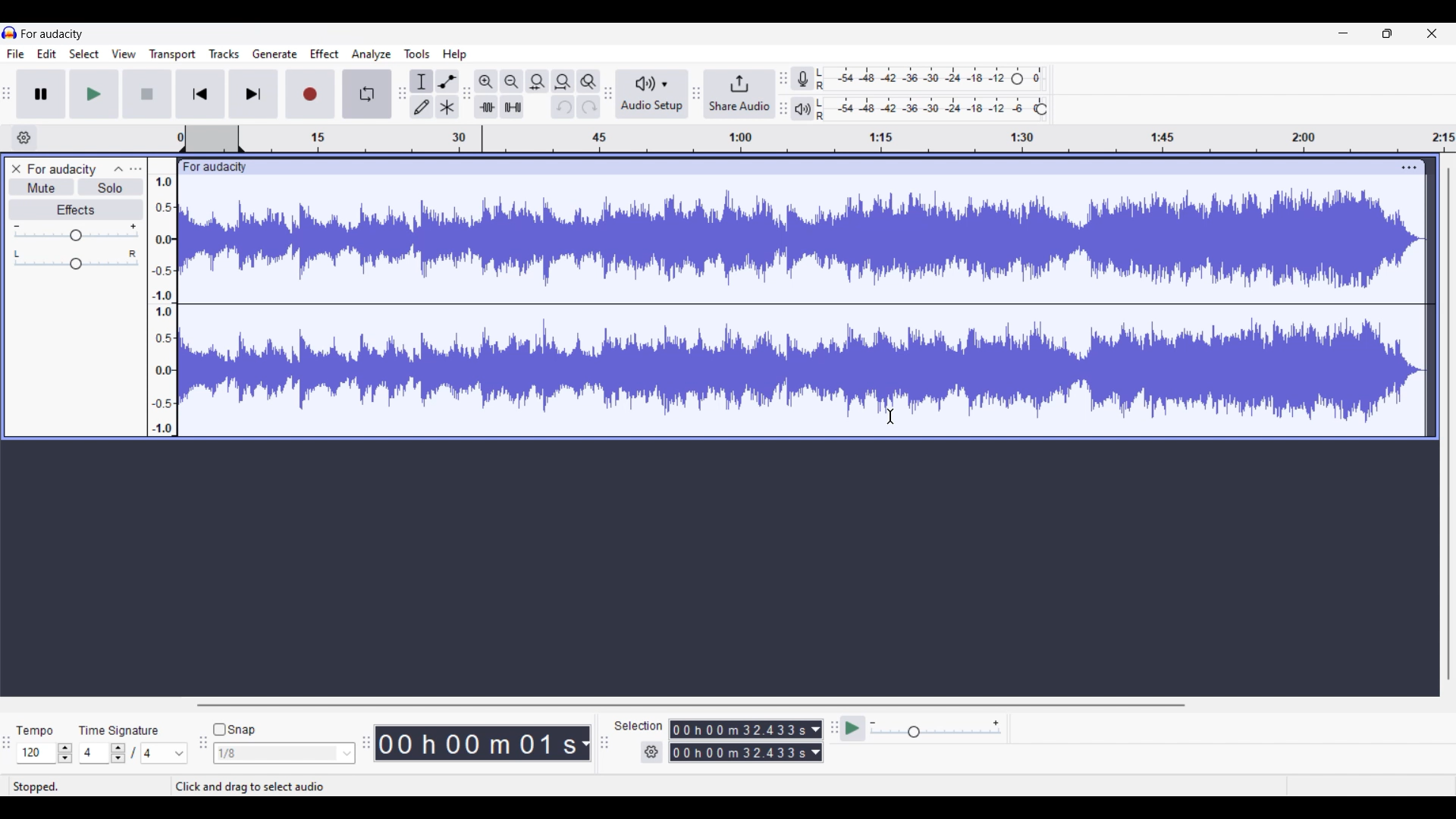 The height and width of the screenshot is (819, 1456). I want to click on Trim audio outside selection, so click(486, 106).